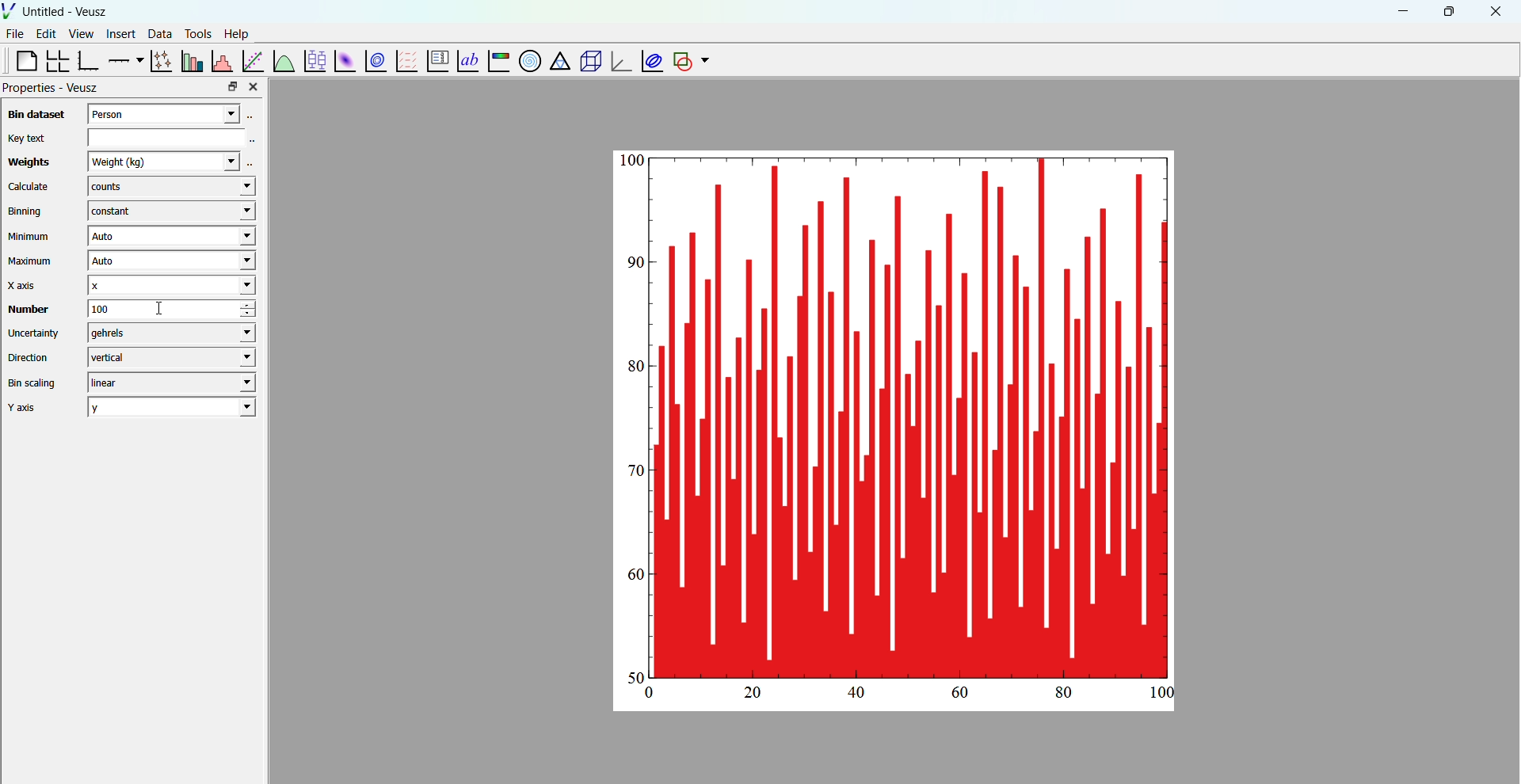 The width and height of the screenshot is (1521, 784). Describe the element at coordinates (376, 62) in the screenshot. I see `plot 2d datasets as contour` at that location.